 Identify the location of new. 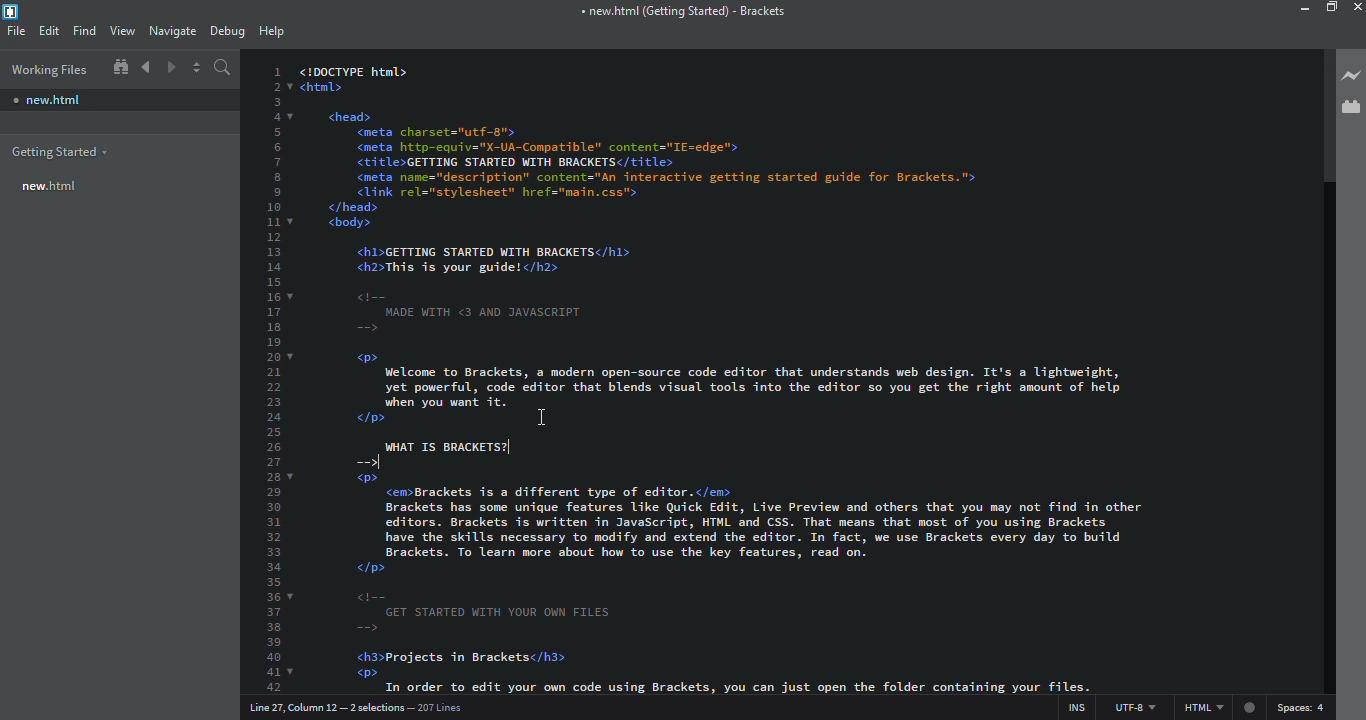
(50, 98).